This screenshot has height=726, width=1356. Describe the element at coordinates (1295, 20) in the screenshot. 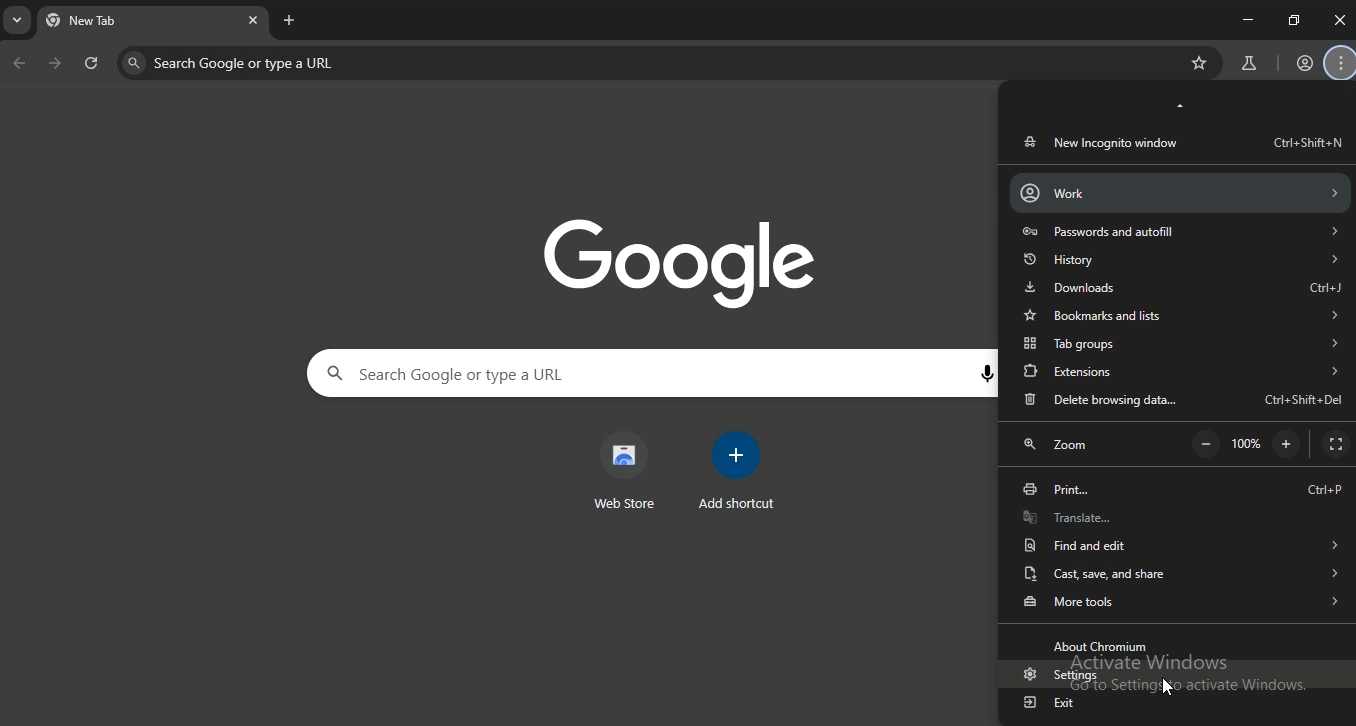

I see `restore windows` at that location.